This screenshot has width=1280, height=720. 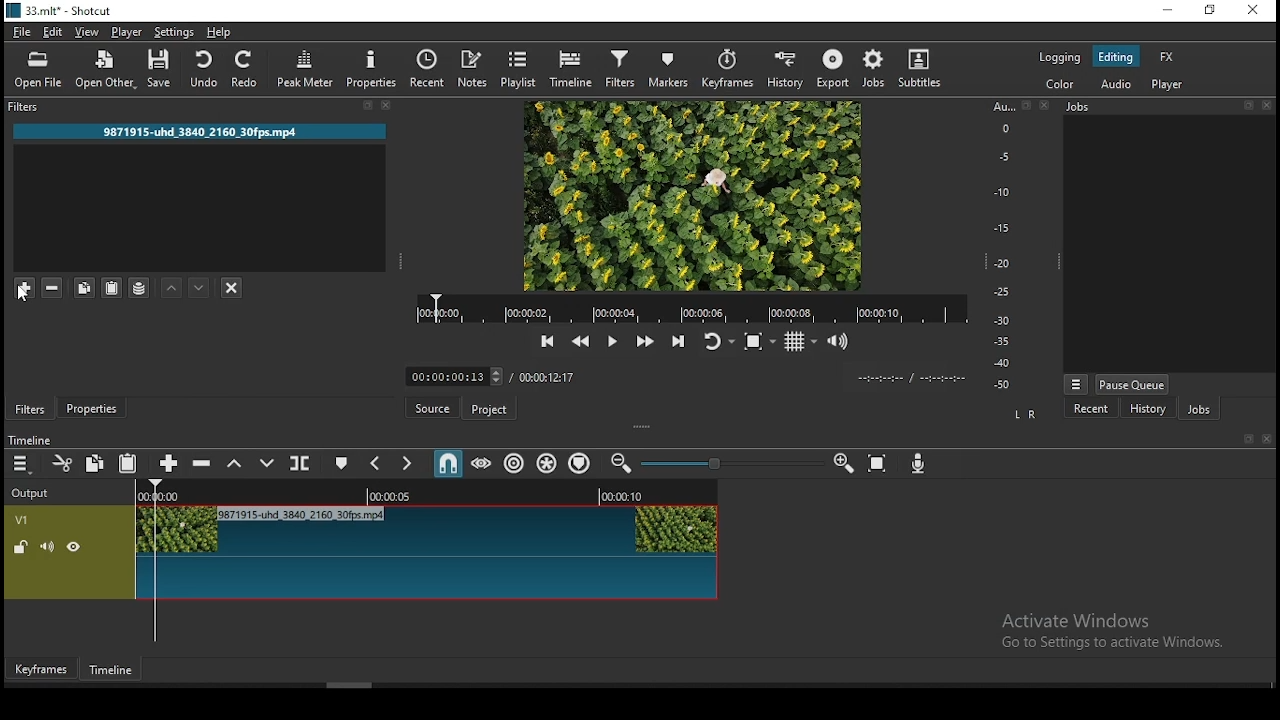 I want to click on save filter sets, so click(x=139, y=287).